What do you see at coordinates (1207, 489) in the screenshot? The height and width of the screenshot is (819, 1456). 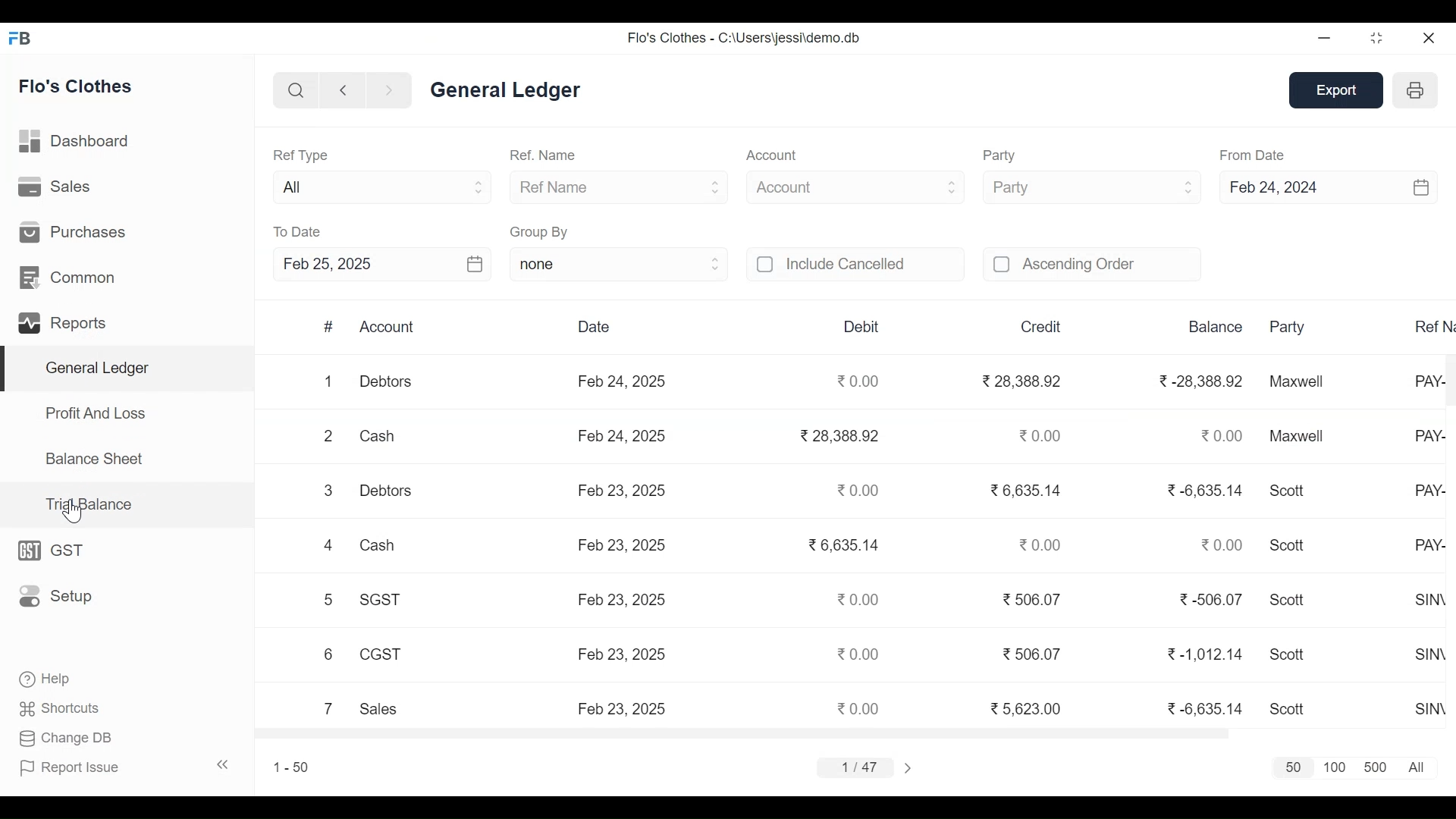 I see `-6,635.14` at bounding box center [1207, 489].